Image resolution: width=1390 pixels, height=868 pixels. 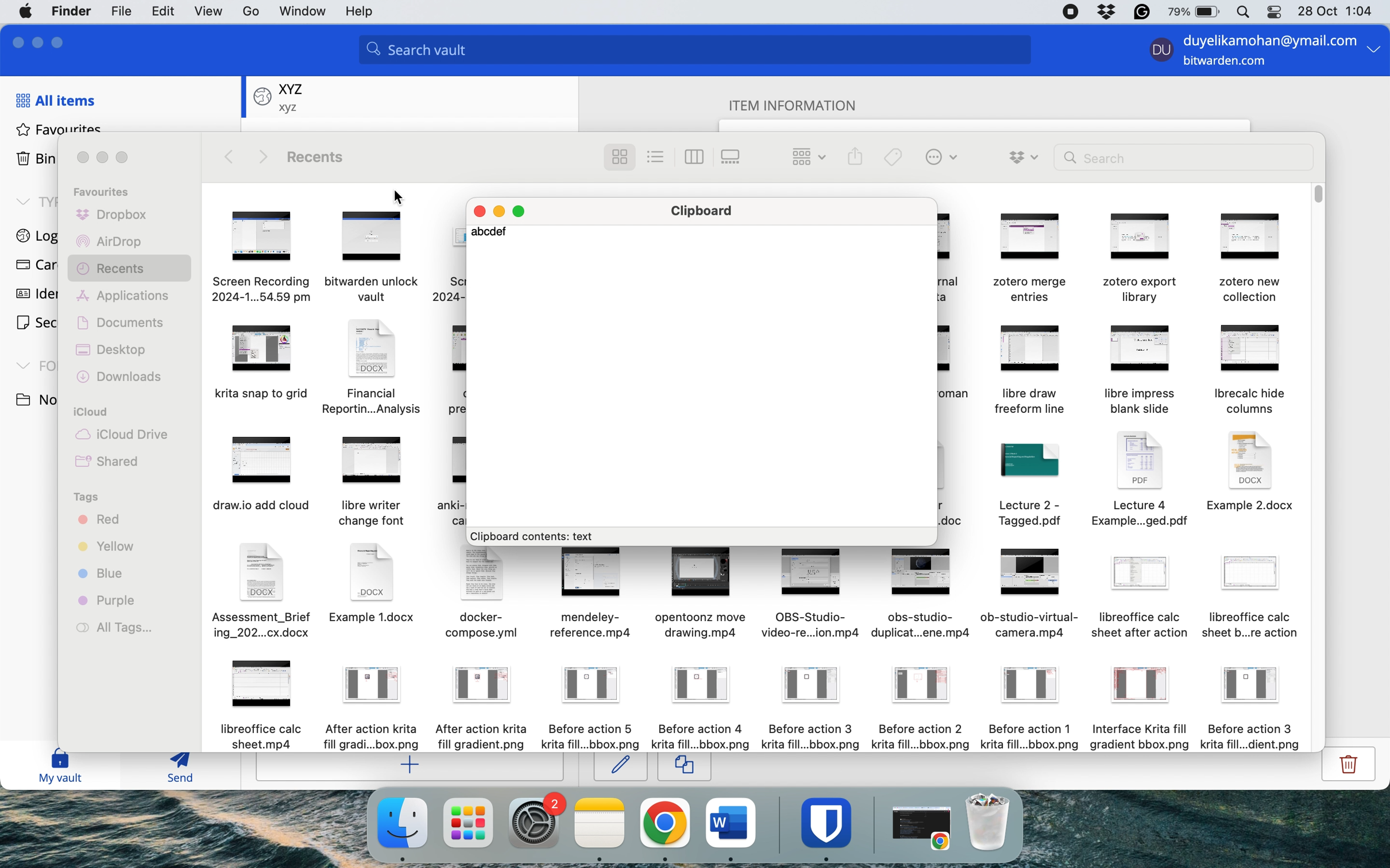 I want to click on bitwarden.com, so click(x=1229, y=63).